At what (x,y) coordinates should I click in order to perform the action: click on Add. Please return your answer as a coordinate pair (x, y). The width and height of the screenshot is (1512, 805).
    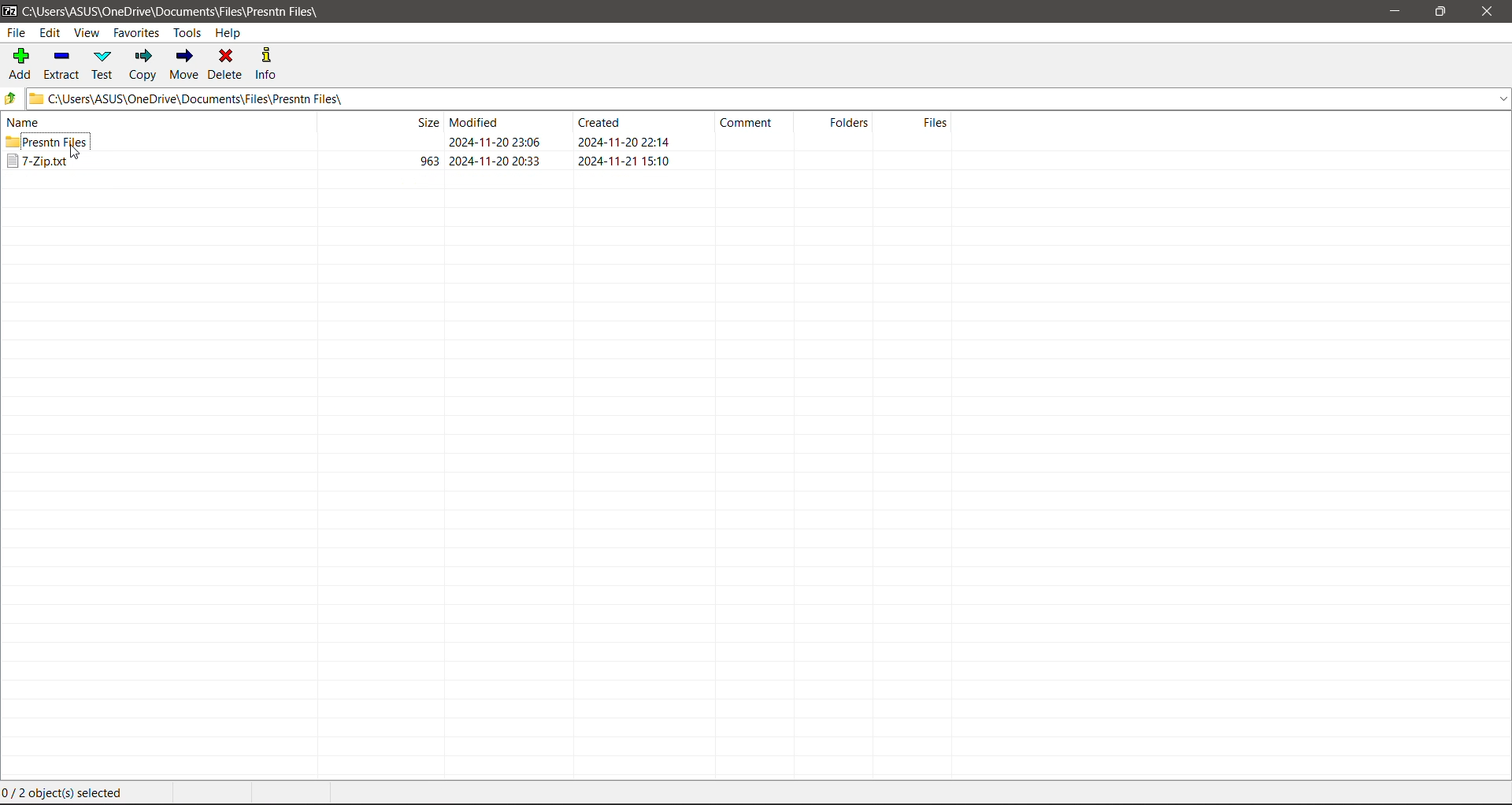
    Looking at the image, I should click on (18, 65).